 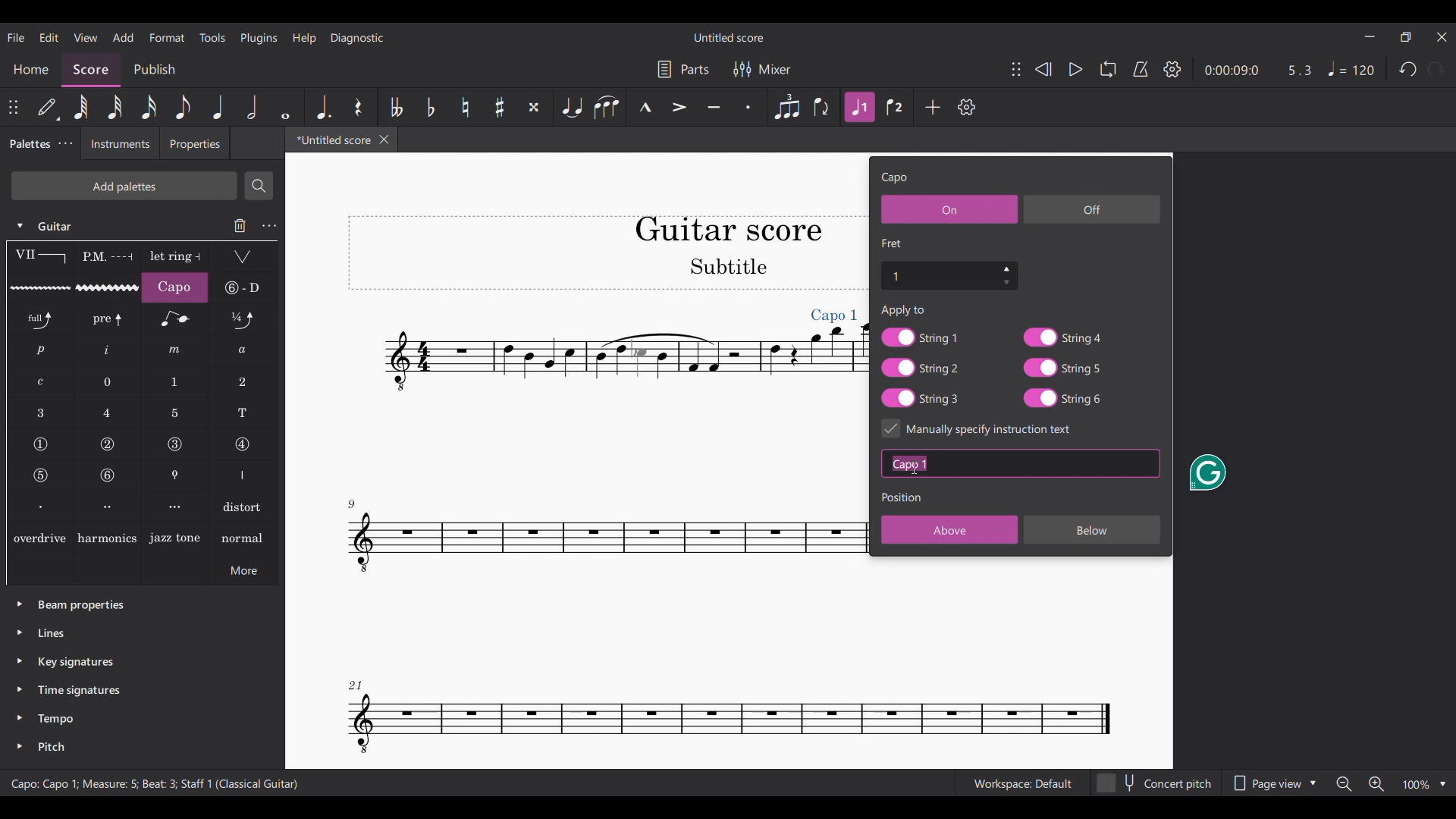 What do you see at coordinates (330, 140) in the screenshot?
I see `Current tab` at bounding box center [330, 140].